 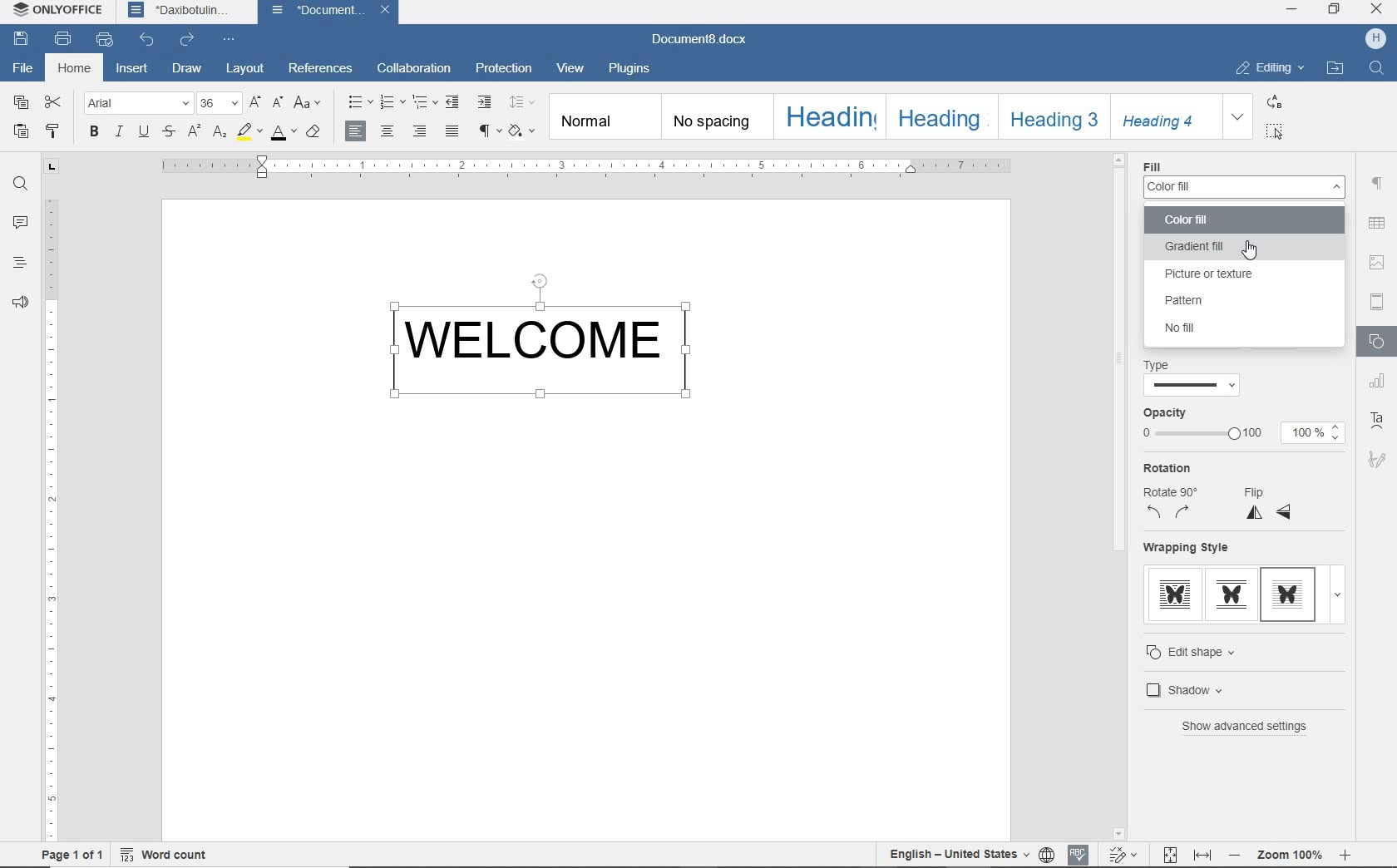 What do you see at coordinates (1380, 382) in the screenshot?
I see `CHART` at bounding box center [1380, 382].